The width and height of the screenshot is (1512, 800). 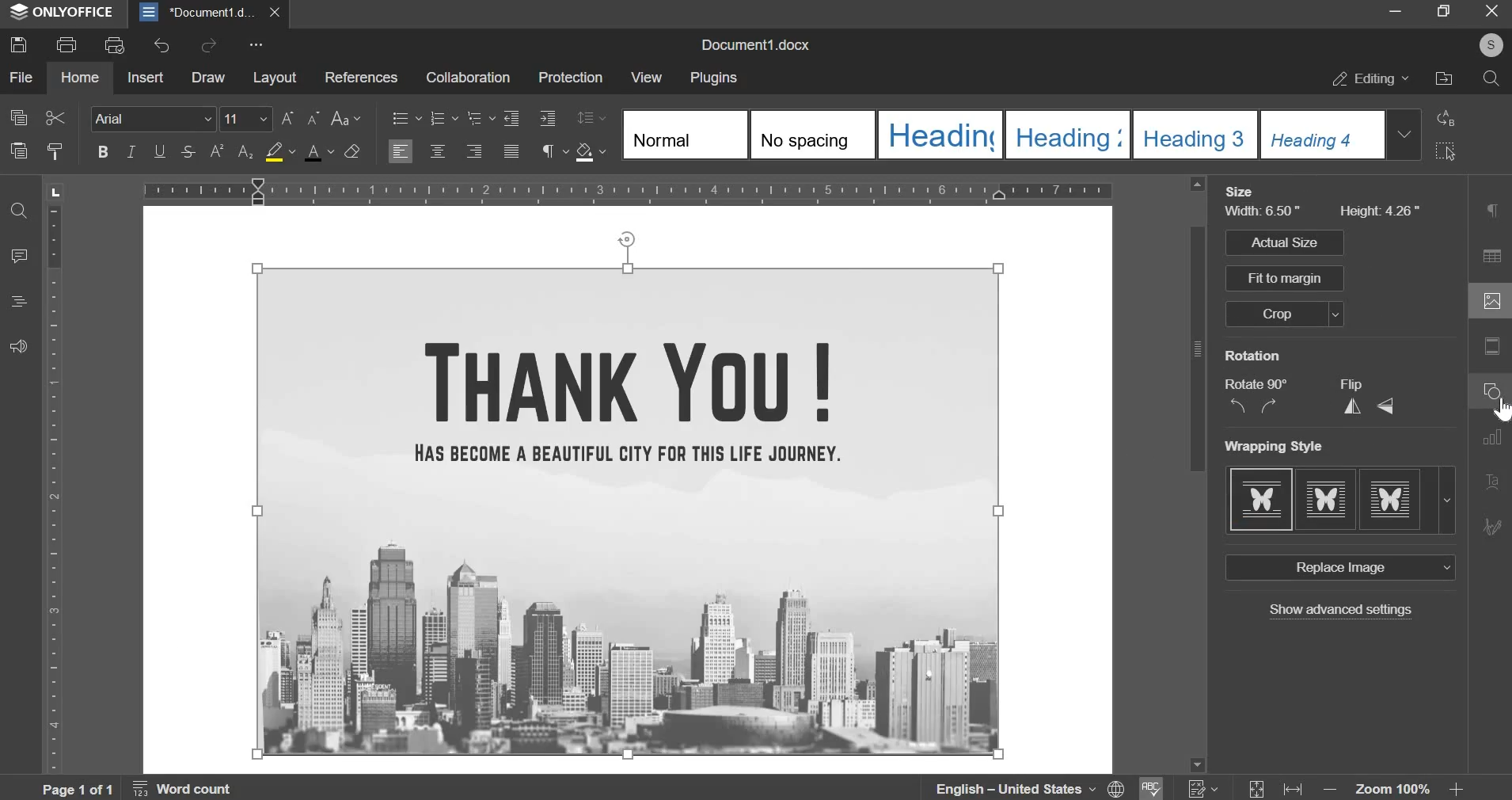 I want to click on Height 4.26", so click(x=1383, y=212).